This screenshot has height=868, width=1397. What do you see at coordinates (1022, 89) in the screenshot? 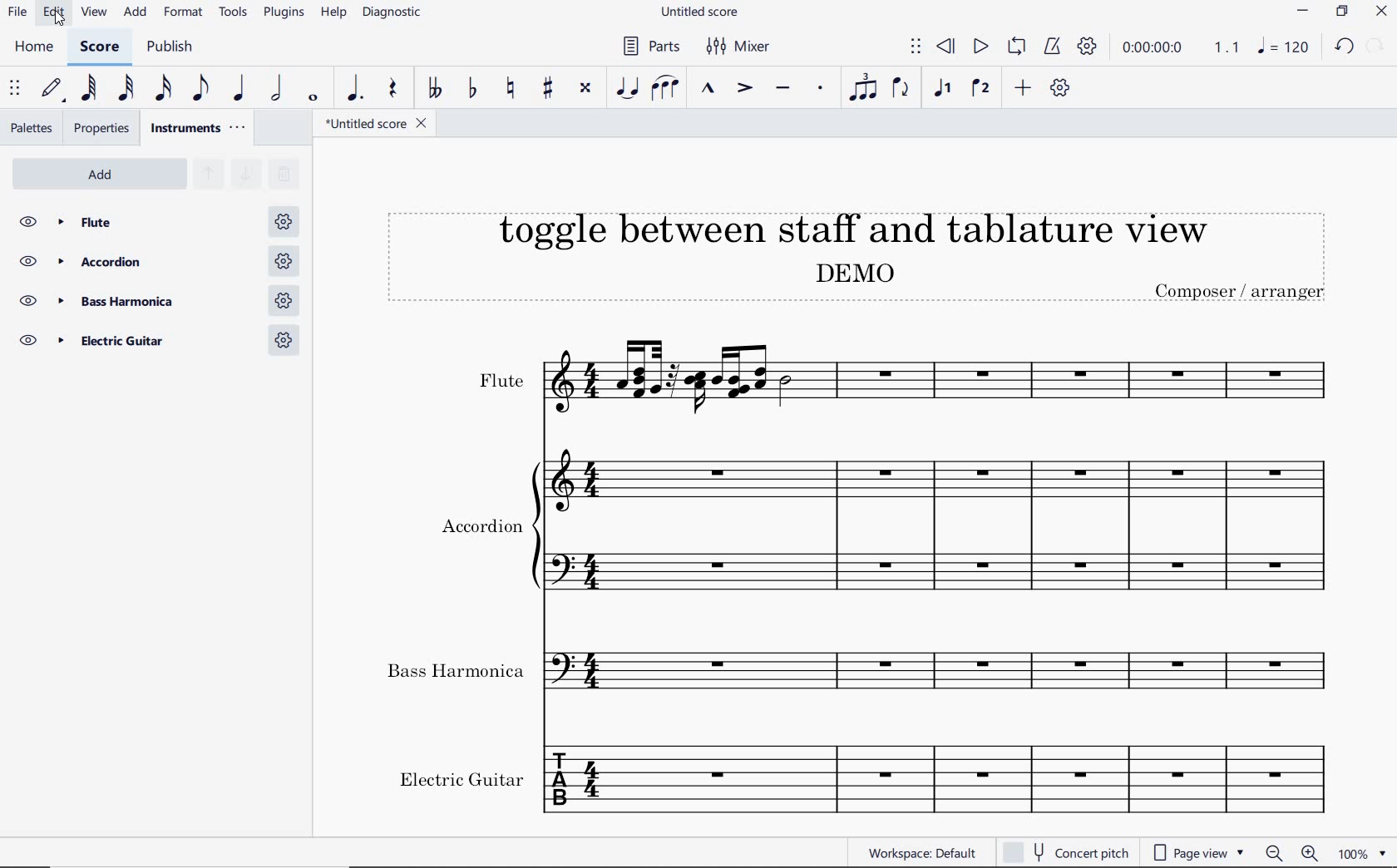
I see `add` at bounding box center [1022, 89].